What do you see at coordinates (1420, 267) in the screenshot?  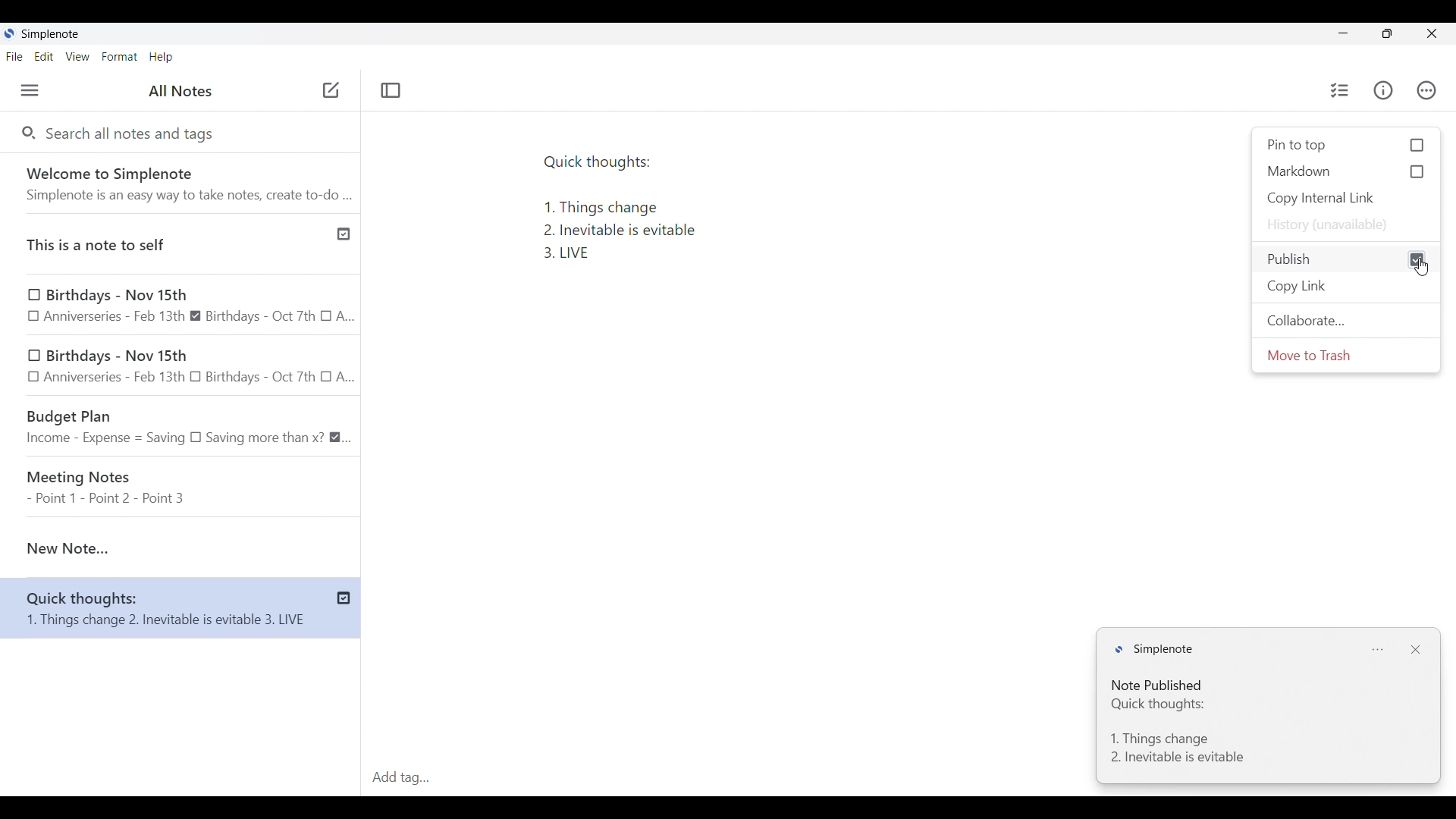 I see `Cursor` at bounding box center [1420, 267].